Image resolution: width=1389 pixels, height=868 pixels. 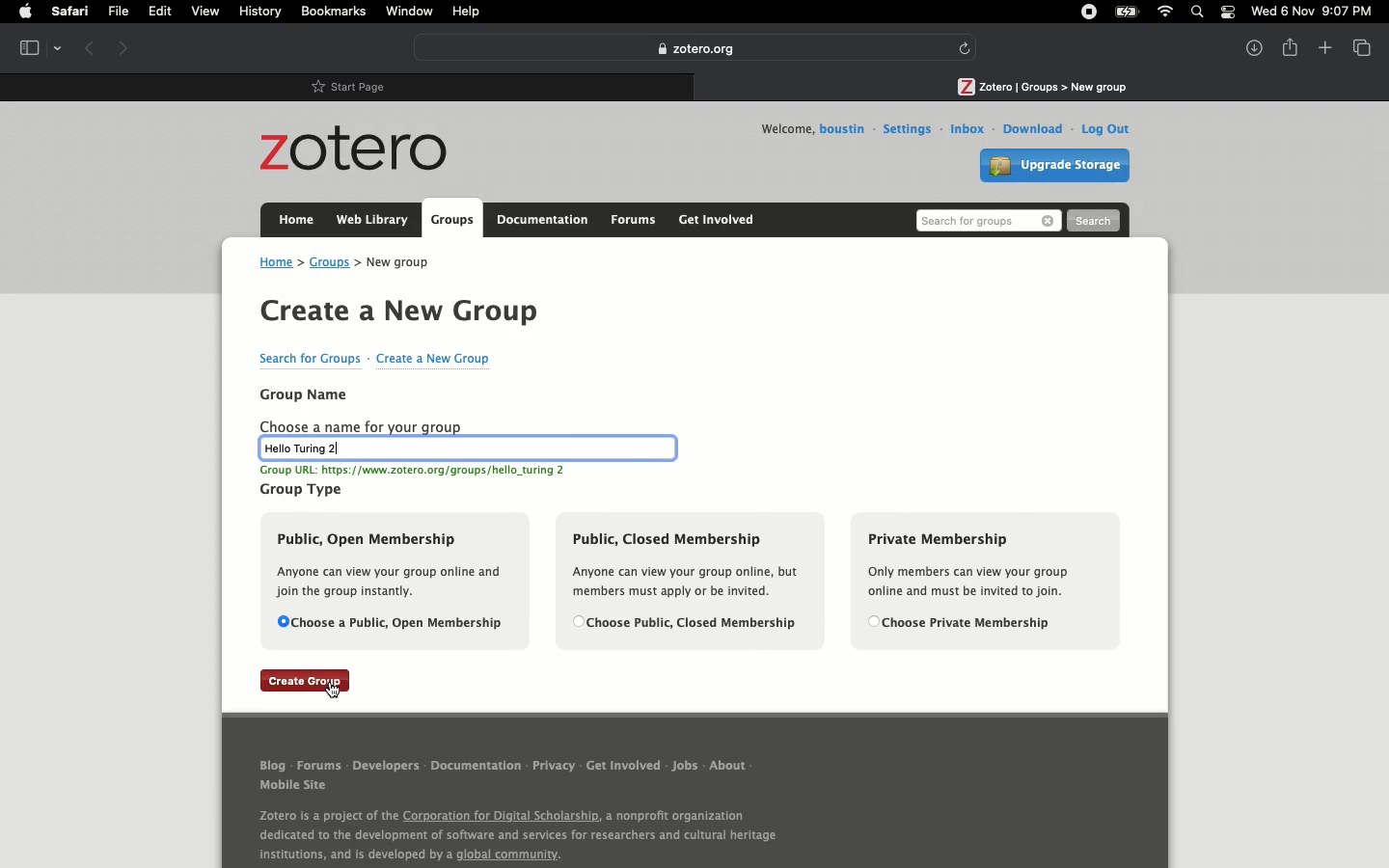 I want to click on Developers, so click(x=390, y=765).